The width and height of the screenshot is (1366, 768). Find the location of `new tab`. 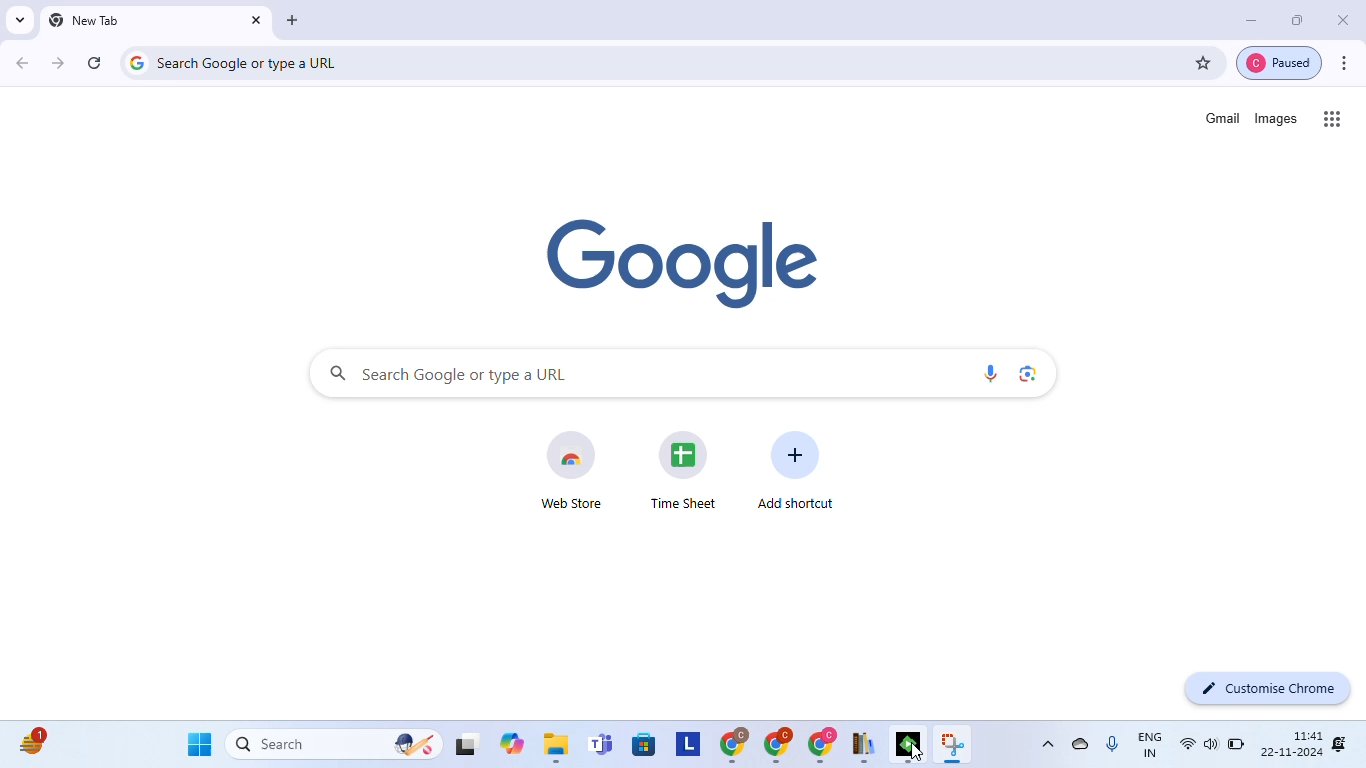

new tab is located at coordinates (295, 21).